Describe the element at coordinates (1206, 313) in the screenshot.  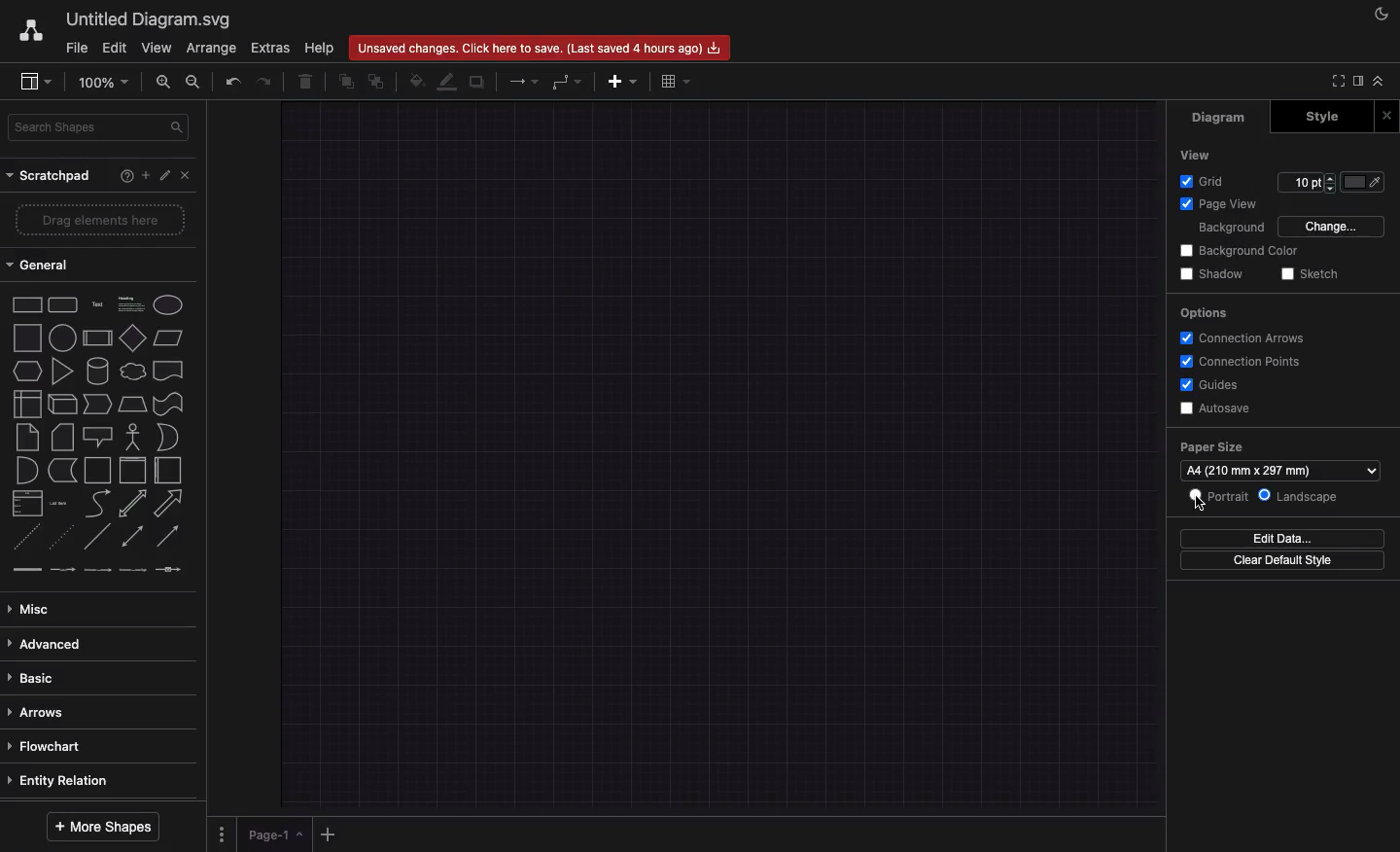
I see `Options` at that location.